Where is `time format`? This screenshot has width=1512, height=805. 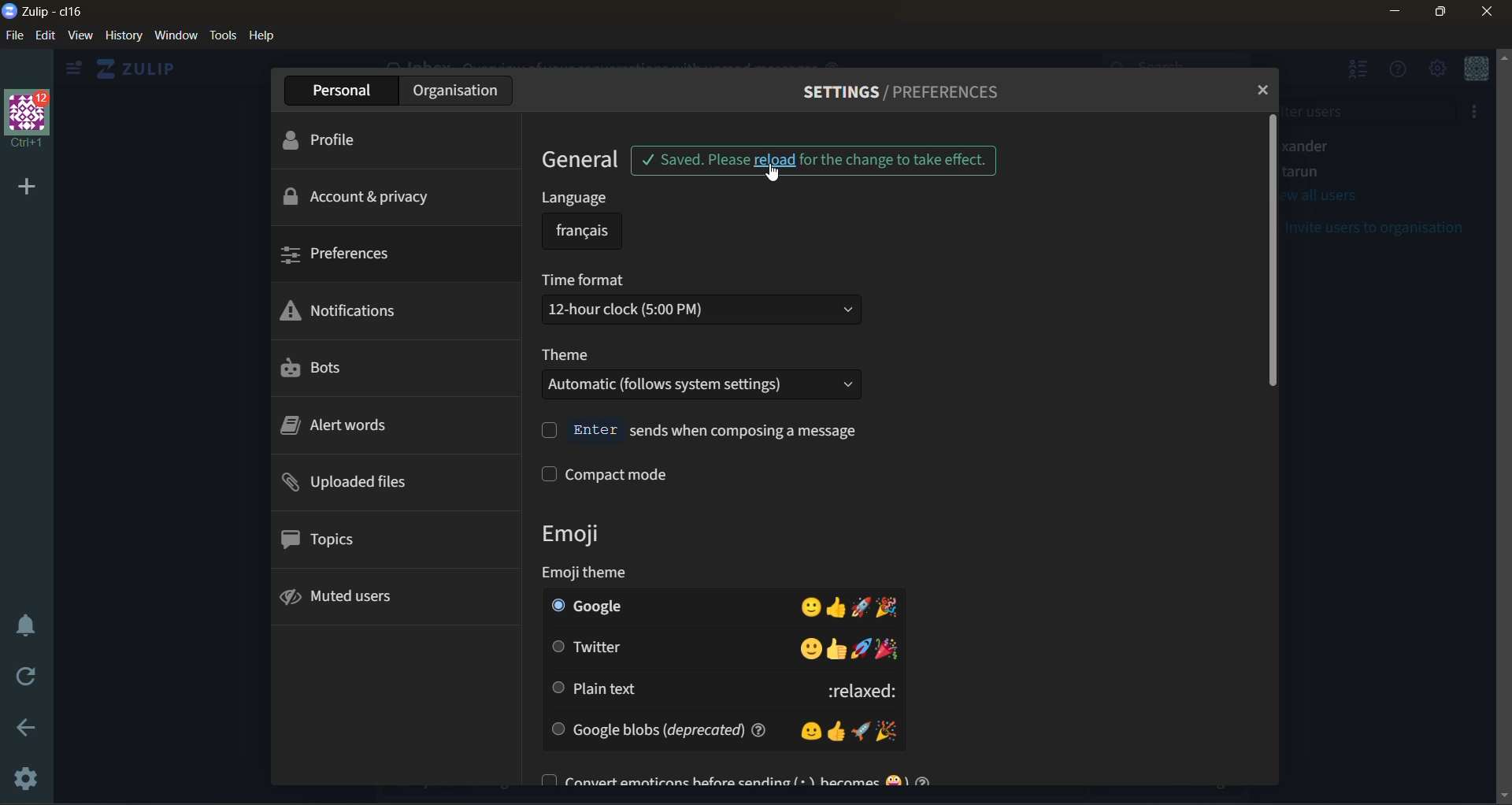 time format is located at coordinates (702, 301).